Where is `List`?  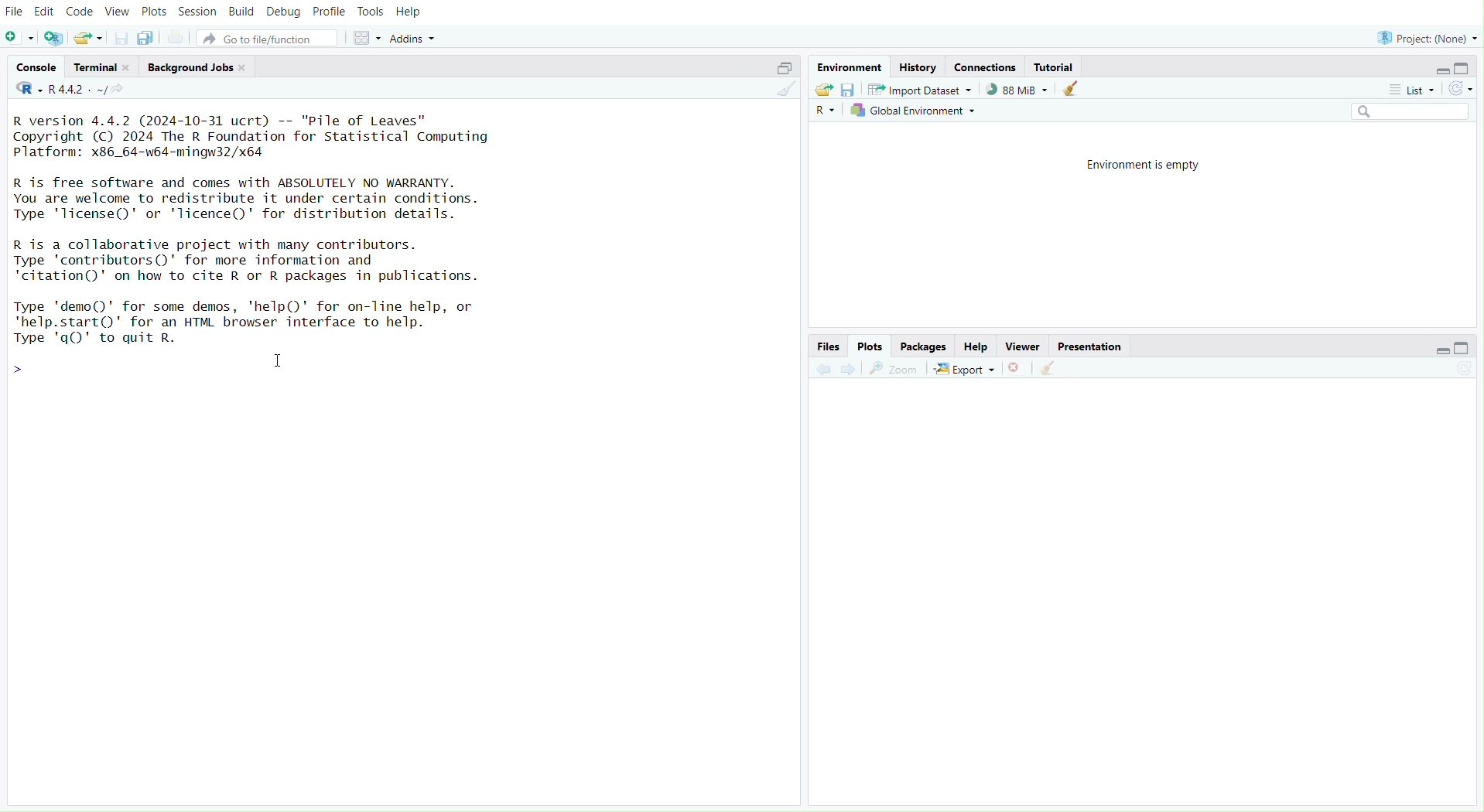
List is located at coordinates (1413, 90).